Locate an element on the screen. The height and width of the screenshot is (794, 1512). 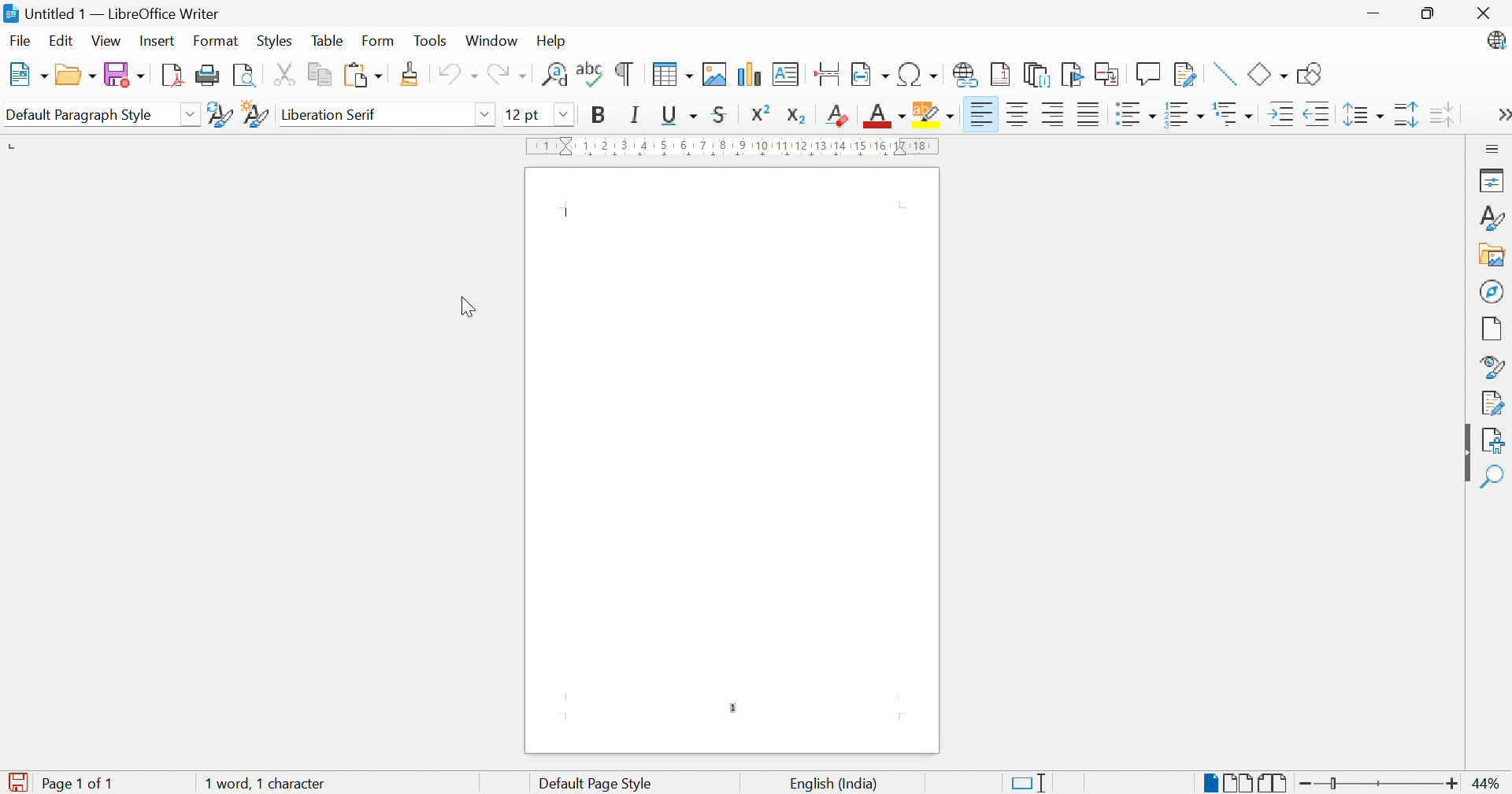
Single-page view is located at coordinates (1213, 782).